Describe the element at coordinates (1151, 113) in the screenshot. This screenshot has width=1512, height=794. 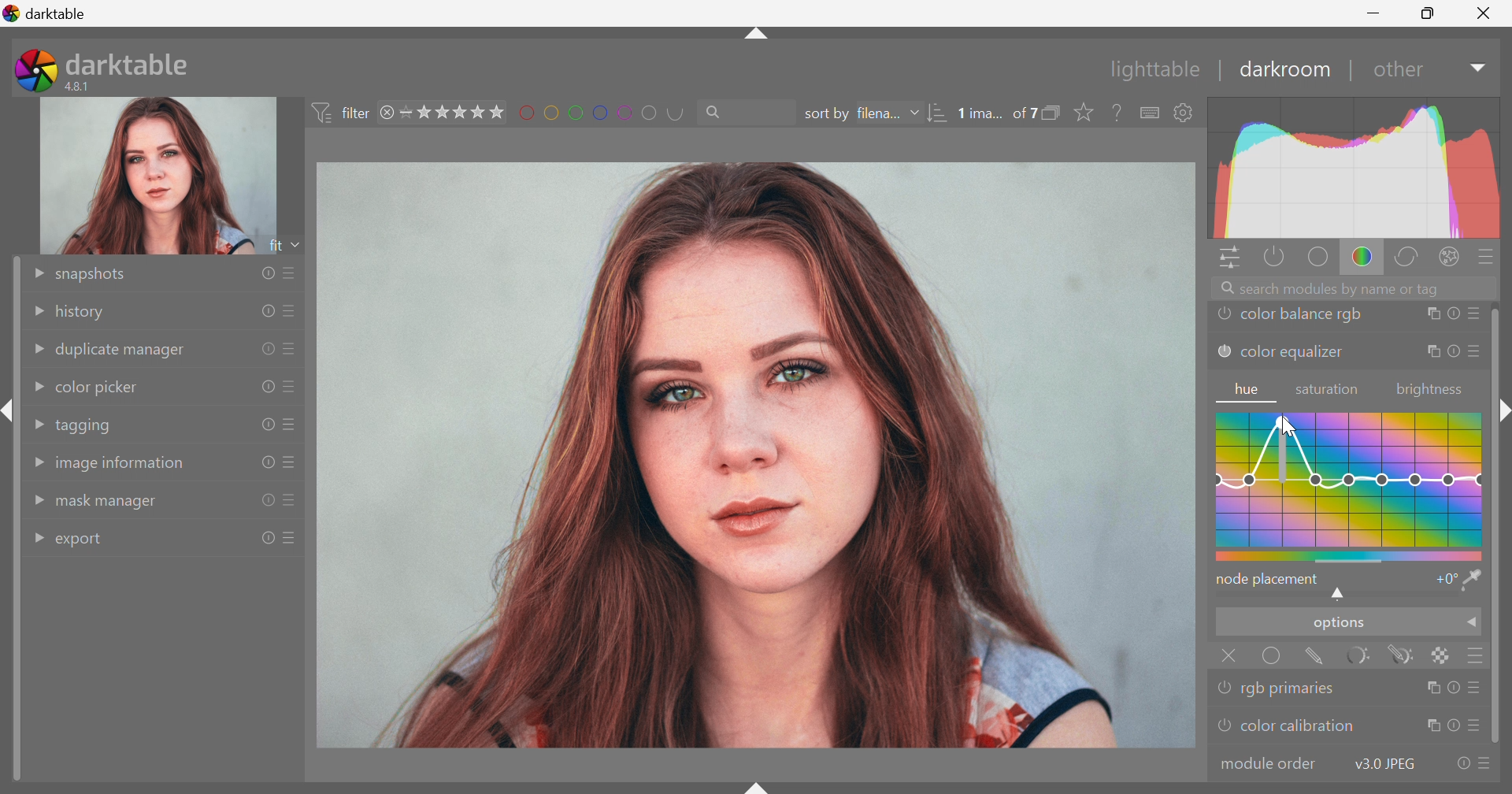
I see `define shortcuts` at that location.